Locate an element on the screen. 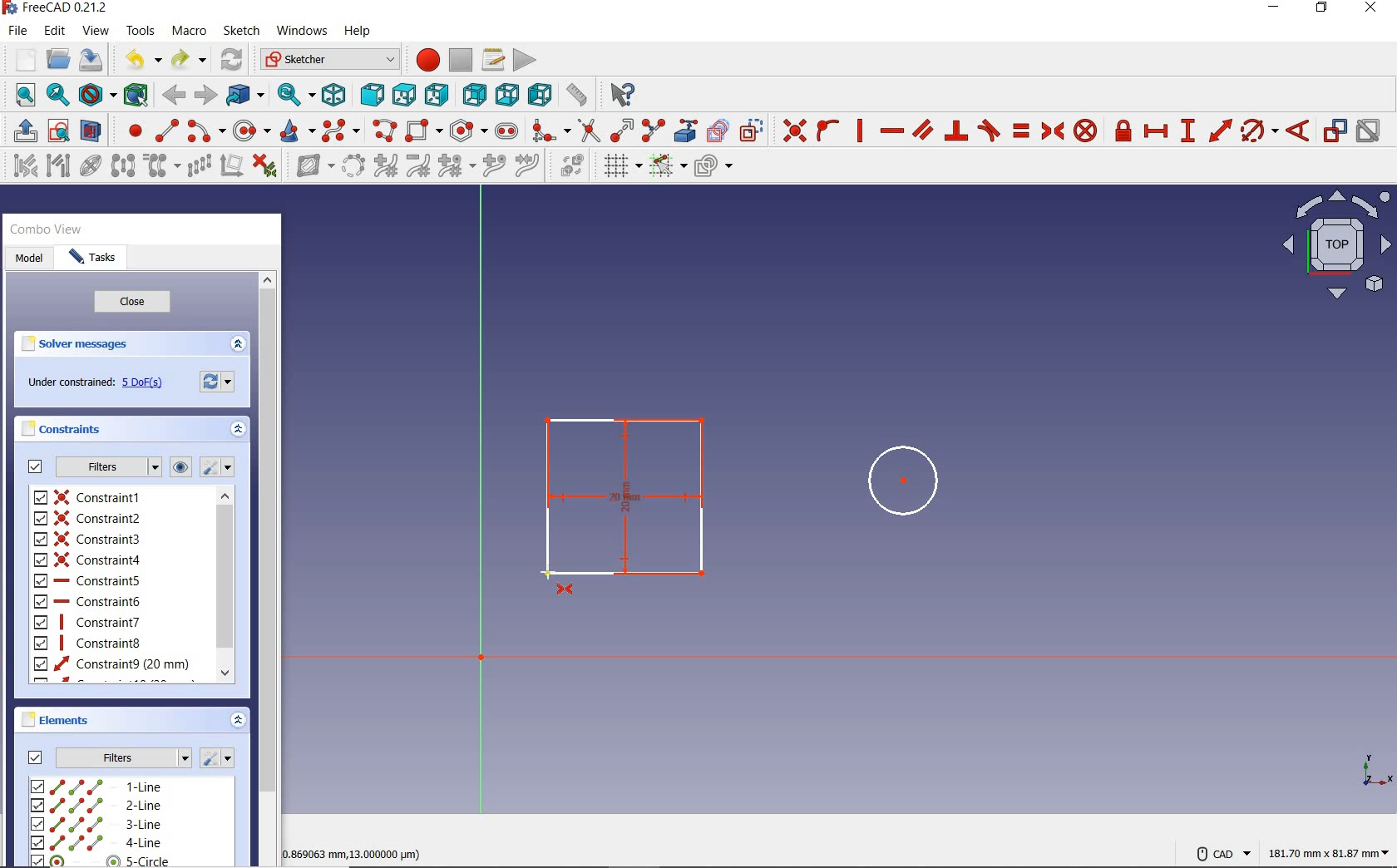  convert geometry to b-spline is located at coordinates (353, 165).